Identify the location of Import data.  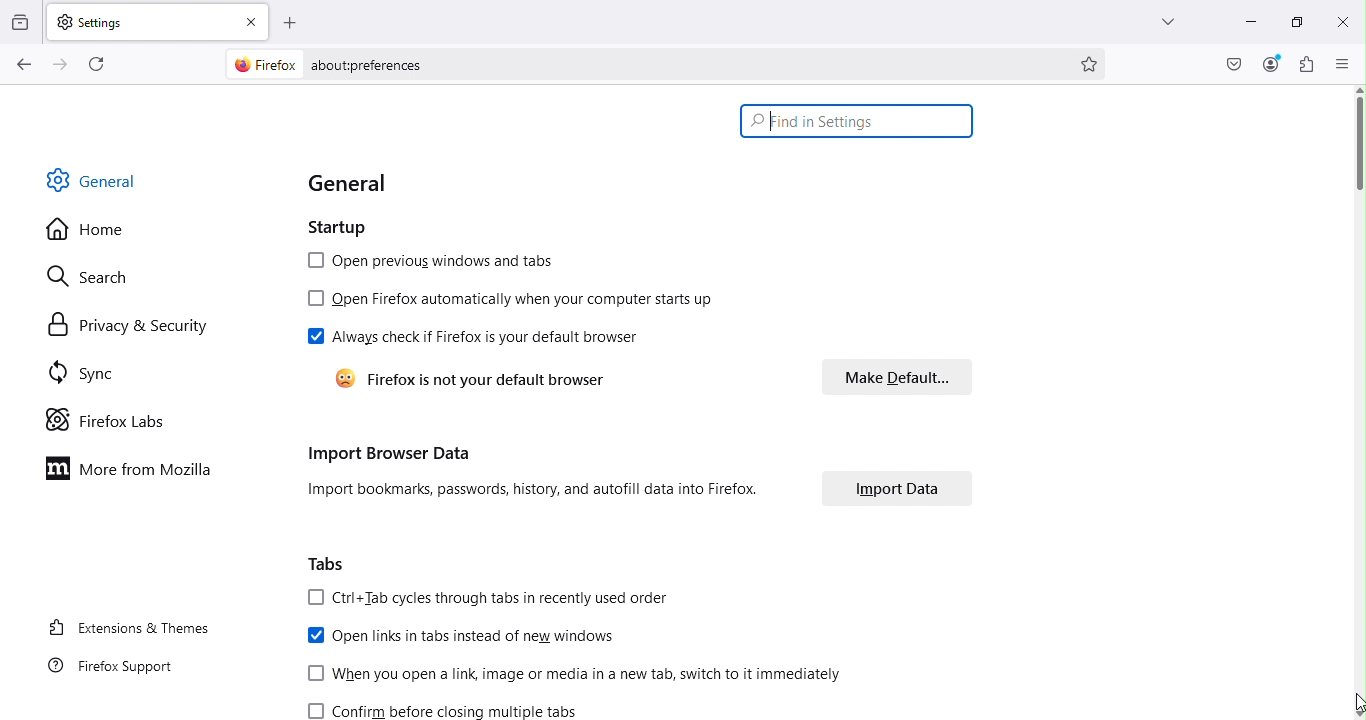
(903, 489).